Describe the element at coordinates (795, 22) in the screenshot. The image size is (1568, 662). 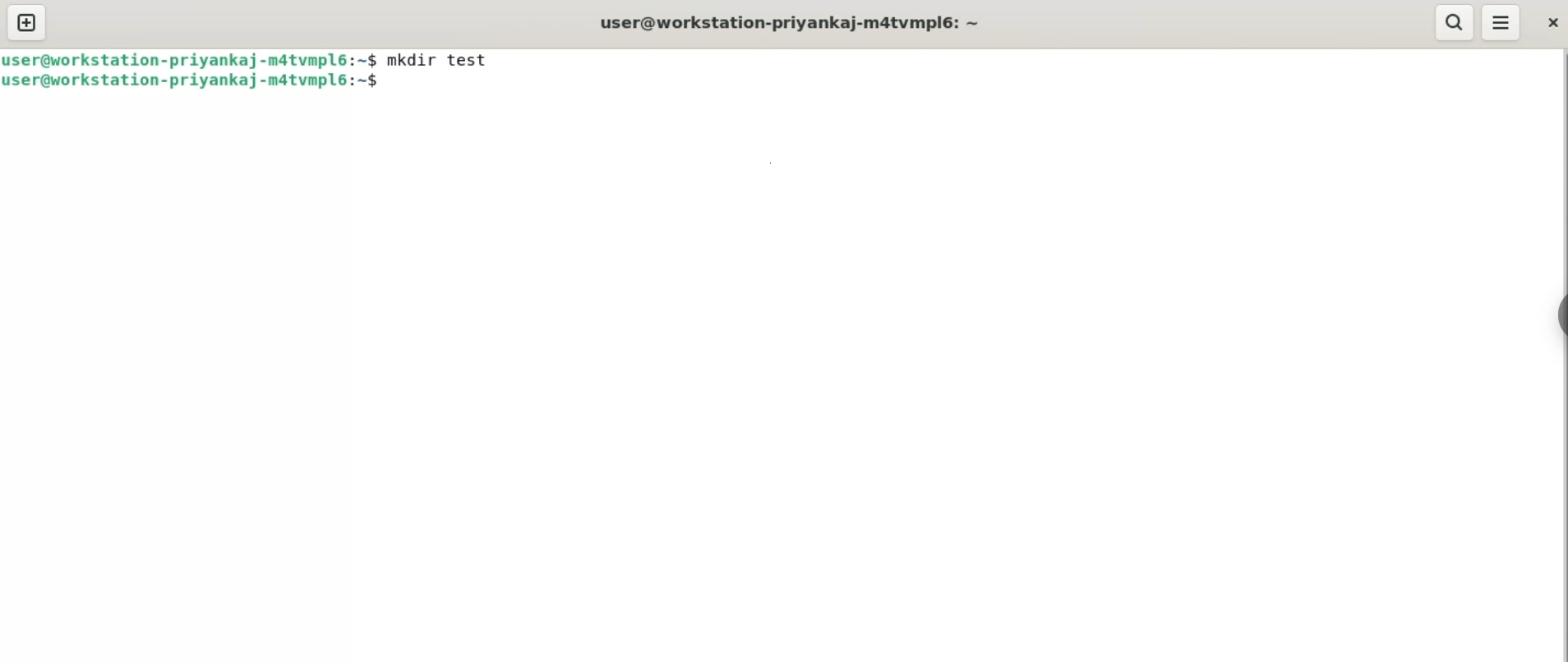
I see `user@workstation-priyankaj-m4tvmpl6: ~` at that location.